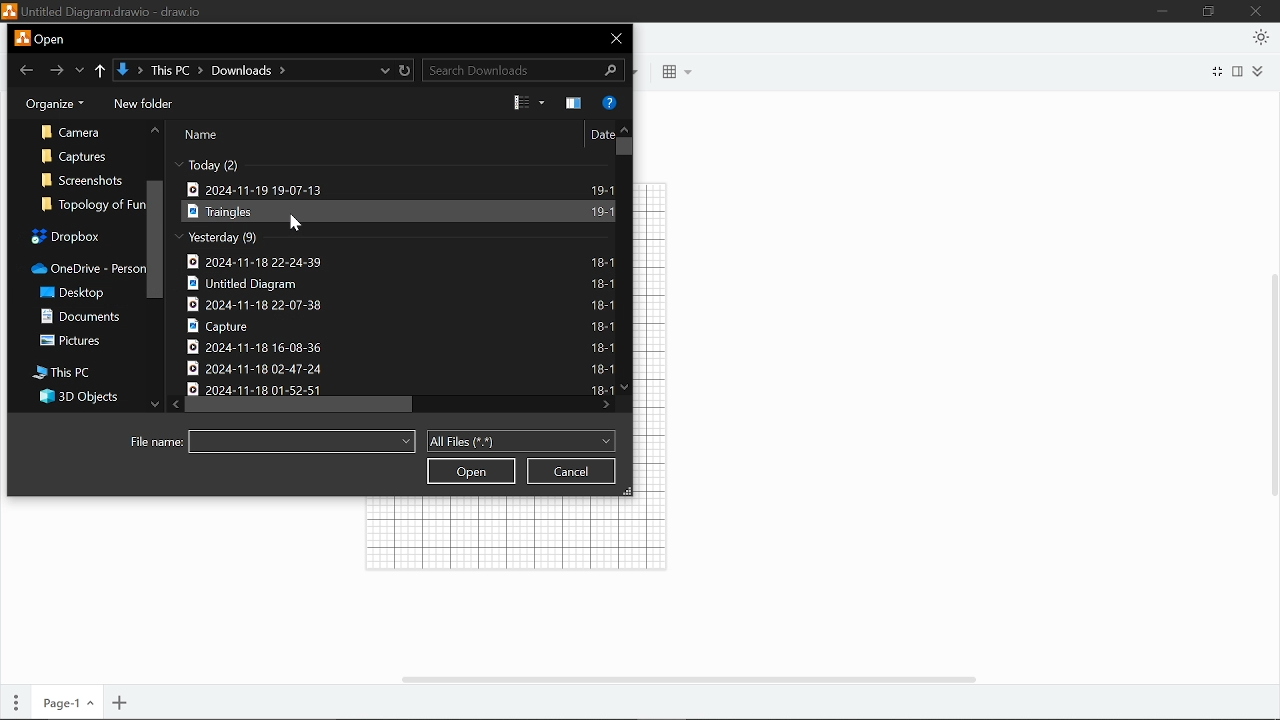 Image resolution: width=1280 pixels, height=720 pixels. What do you see at coordinates (116, 12) in the screenshot?
I see `Untitled Diagram.drawio - draw.io` at bounding box center [116, 12].